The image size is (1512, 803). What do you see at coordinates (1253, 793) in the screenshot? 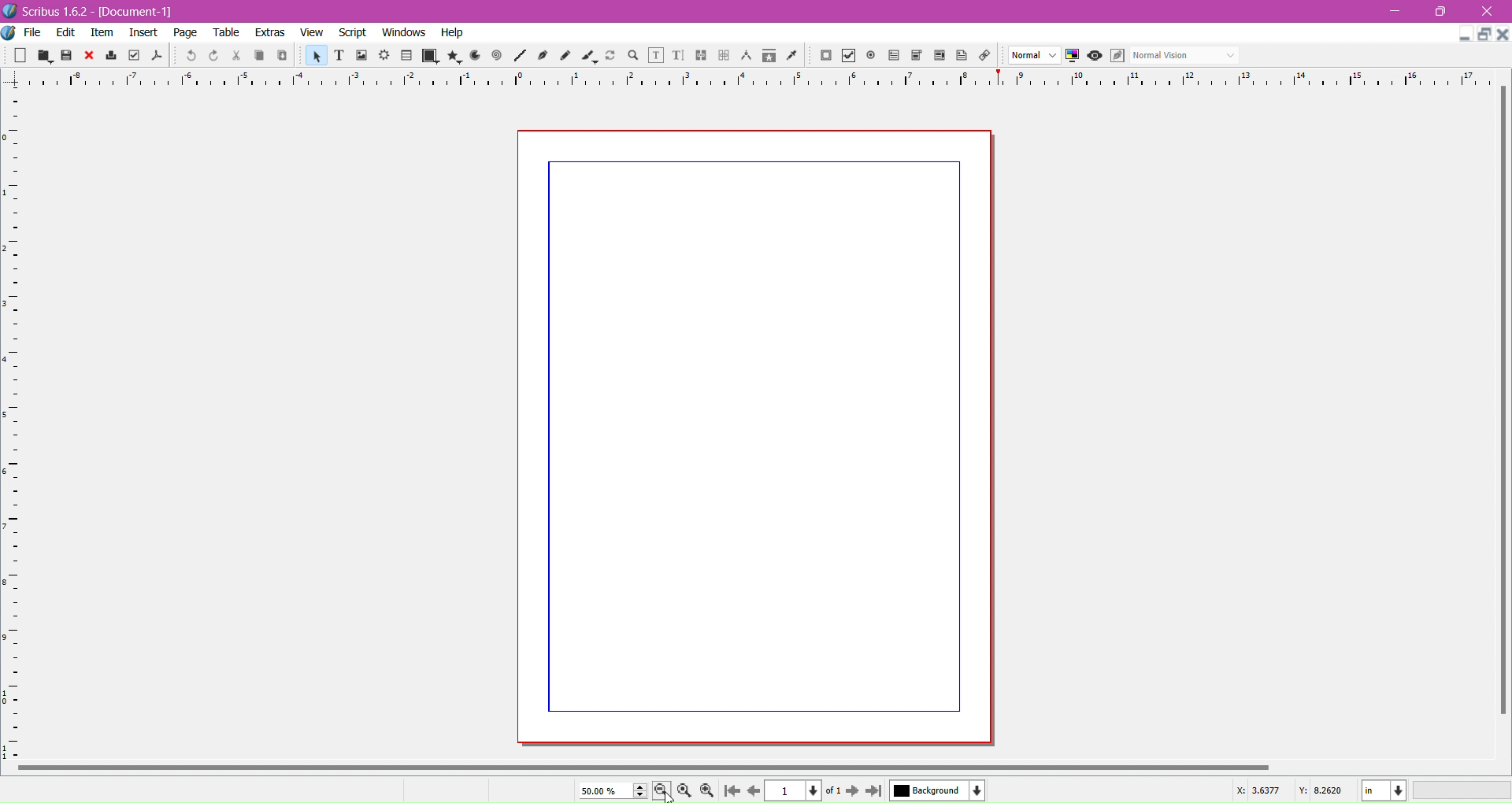
I see `Cursor coordinate - X` at bounding box center [1253, 793].